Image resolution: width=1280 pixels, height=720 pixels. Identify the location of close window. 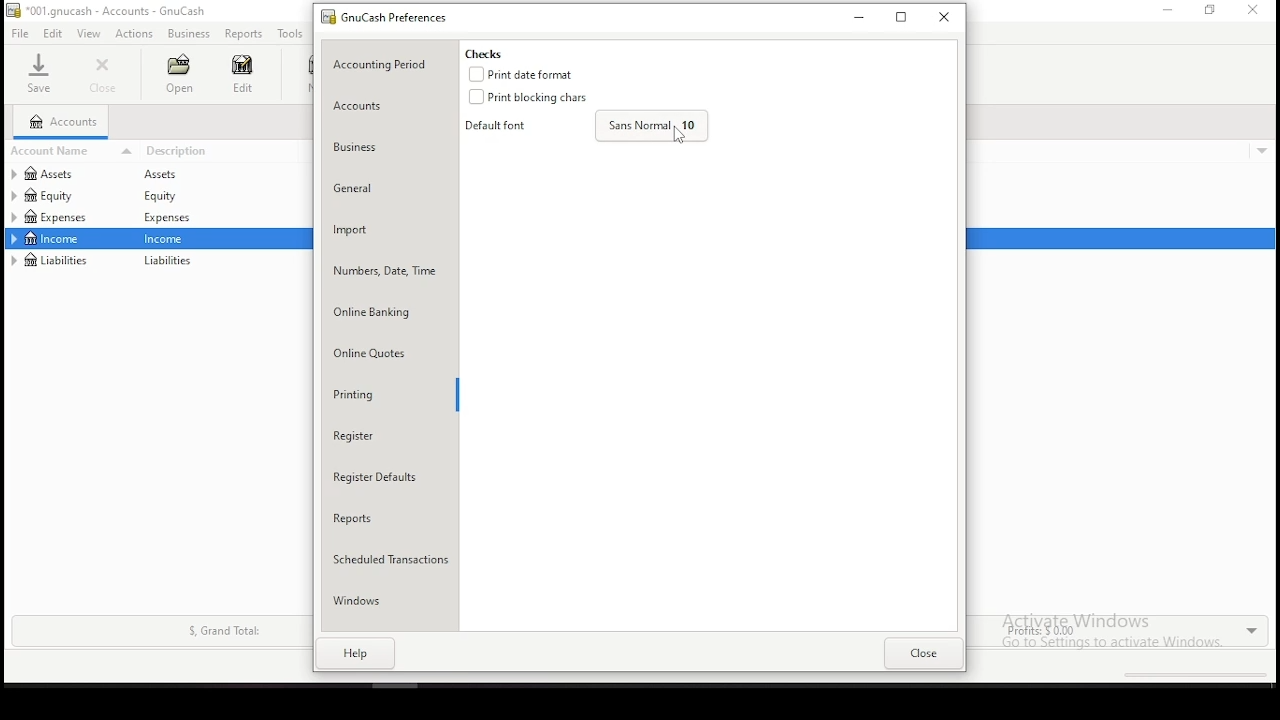
(1254, 10).